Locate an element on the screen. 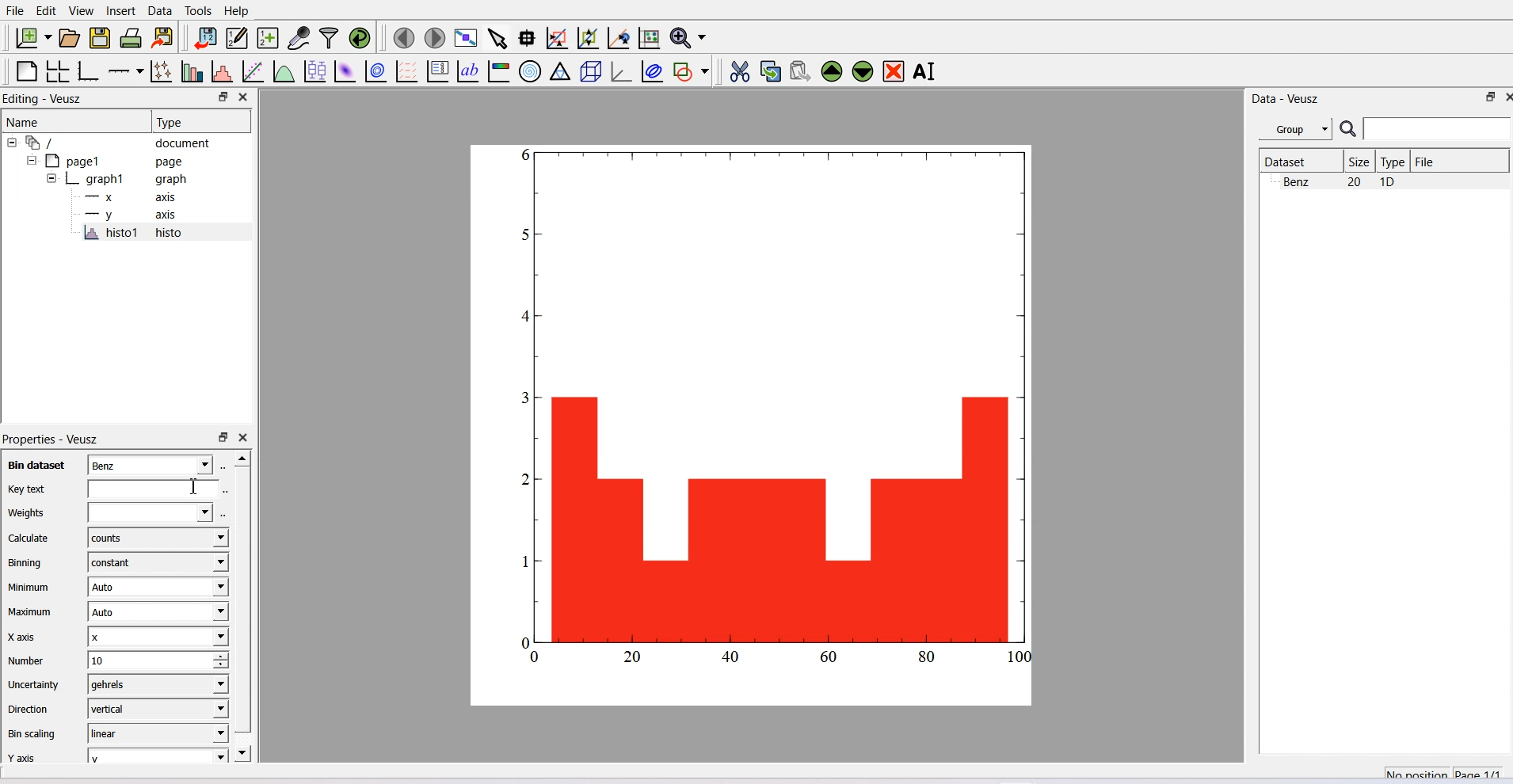 The width and height of the screenshot is (1513, 784). Arrange graph in grid is located at coordinates (57, 71).